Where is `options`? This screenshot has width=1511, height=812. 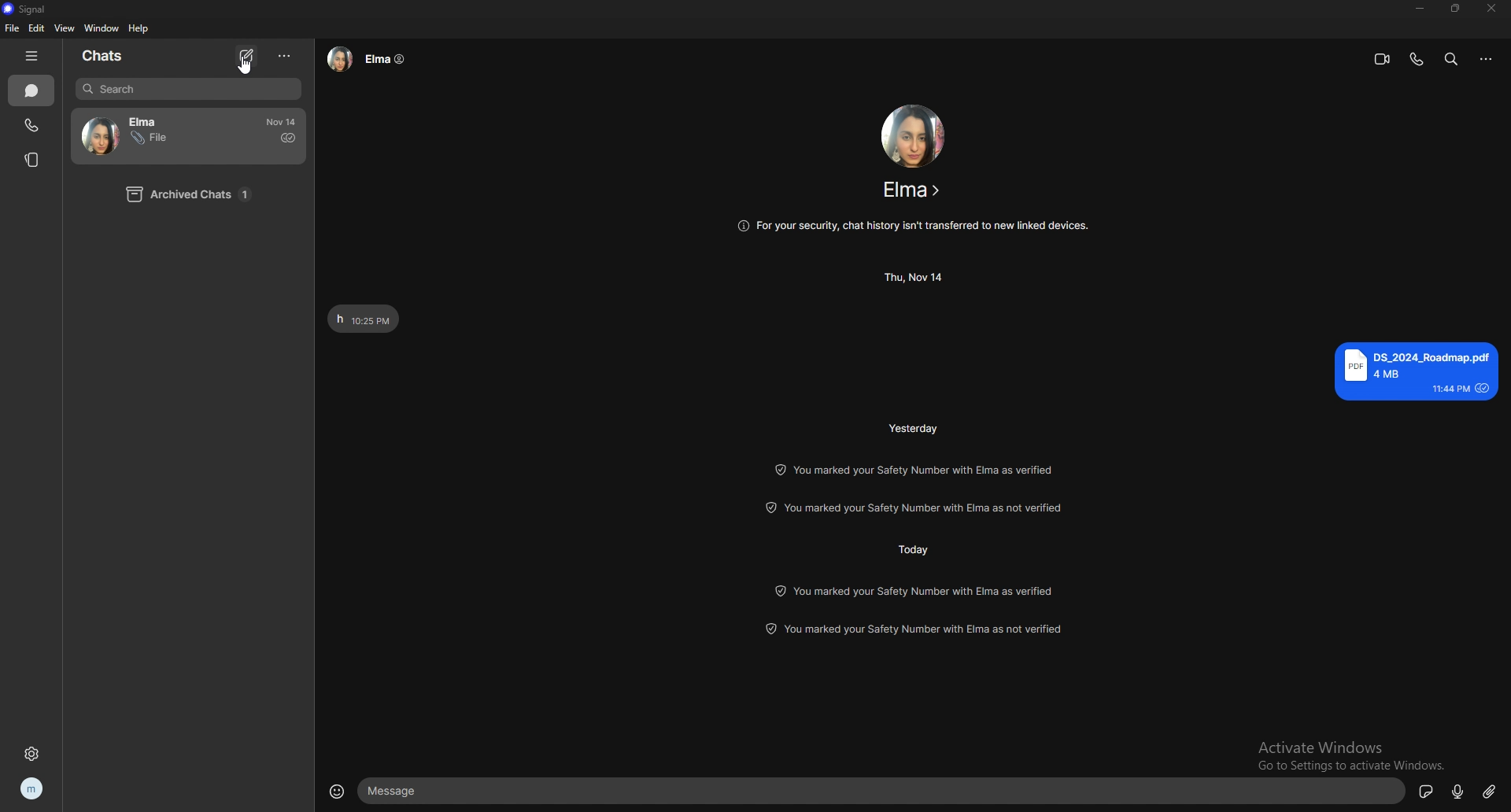 options is located at coordinates (1487, 60).